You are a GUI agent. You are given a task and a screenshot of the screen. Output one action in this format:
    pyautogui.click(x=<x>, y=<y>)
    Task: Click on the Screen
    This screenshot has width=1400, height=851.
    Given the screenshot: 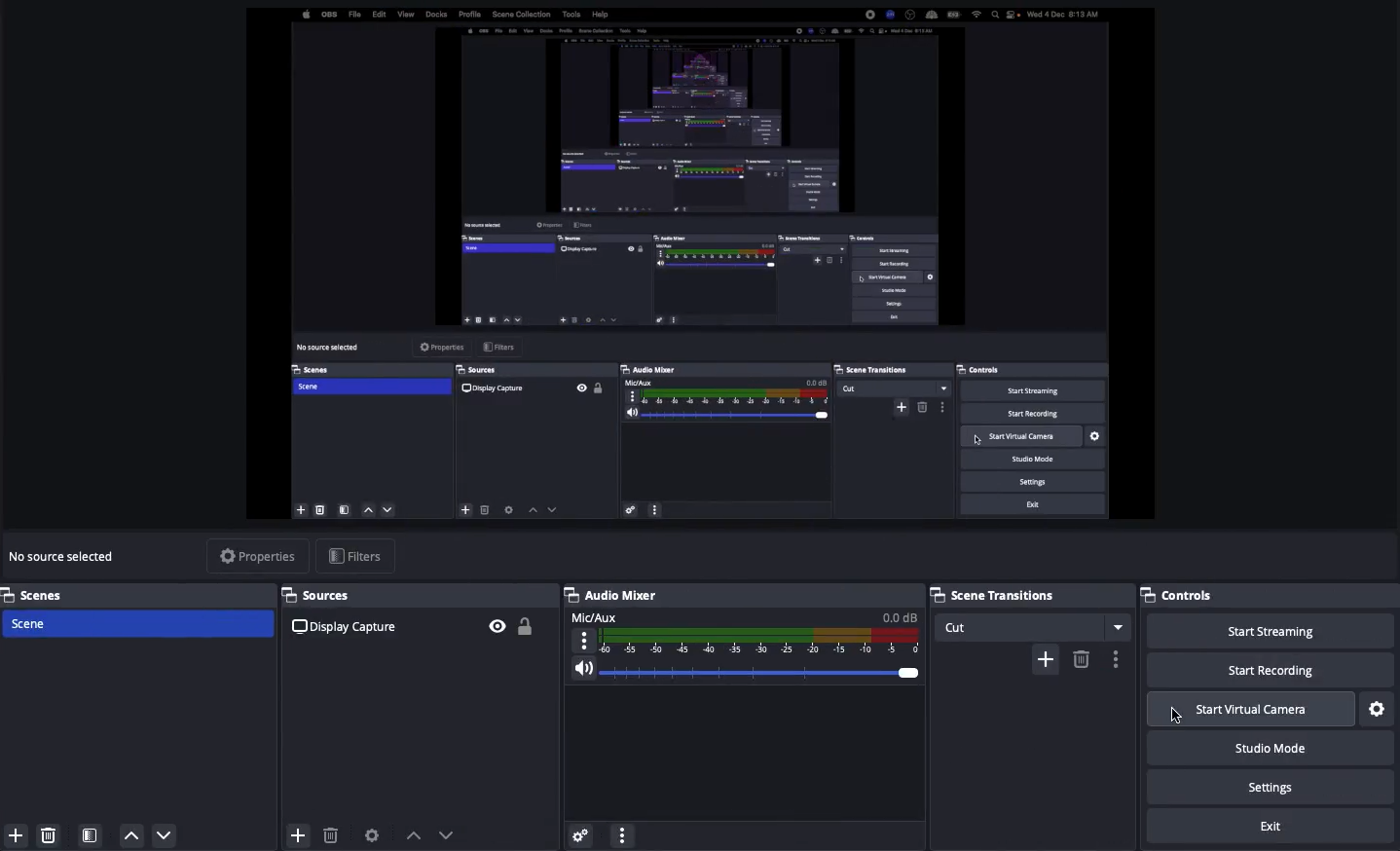 What is the action you would take?
    pyautogui.click(x=703, y=264)
    